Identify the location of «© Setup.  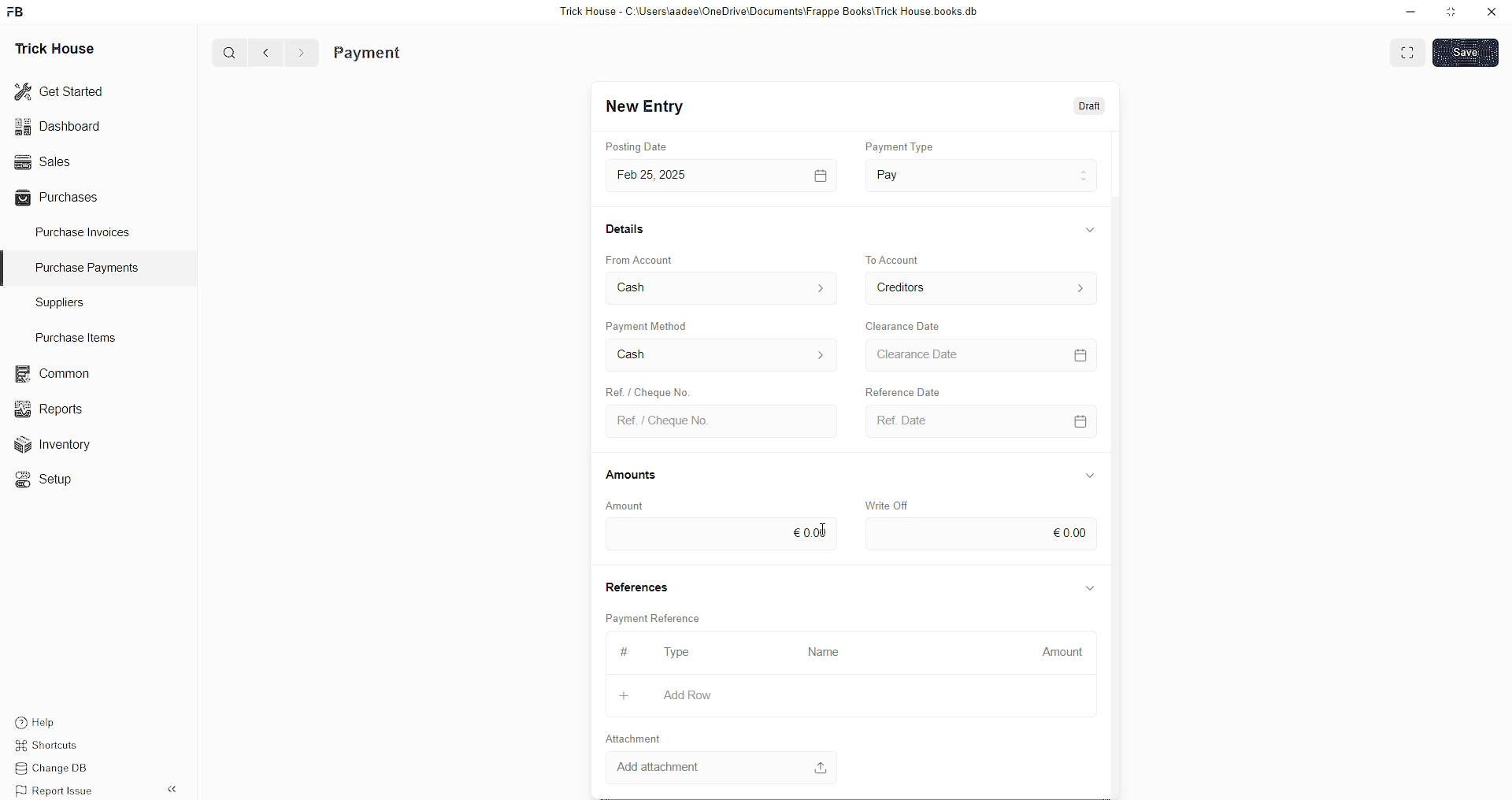
(49, 480).